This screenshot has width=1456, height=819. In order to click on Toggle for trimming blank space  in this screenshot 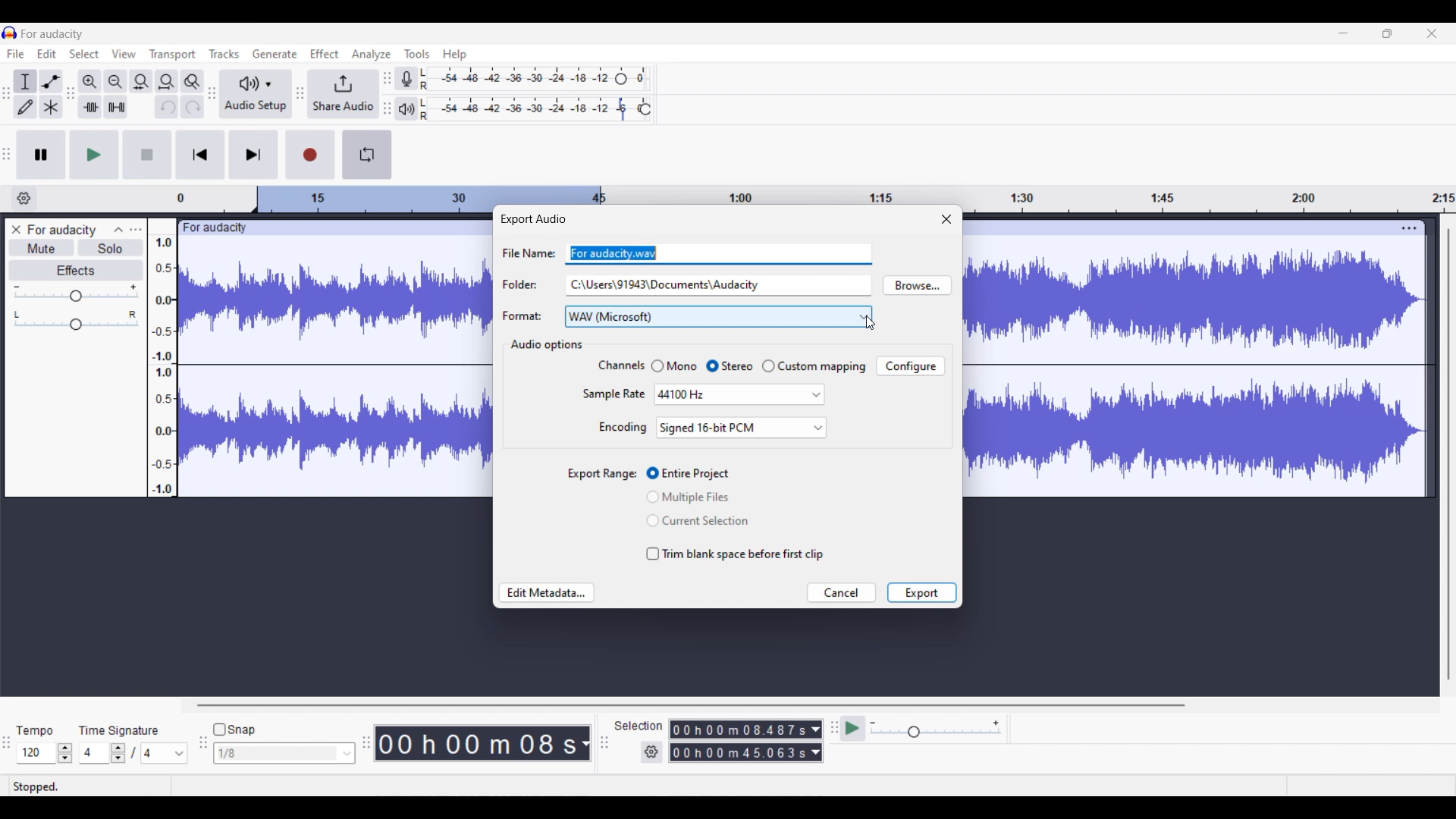, I will do `click(735, 554)`.